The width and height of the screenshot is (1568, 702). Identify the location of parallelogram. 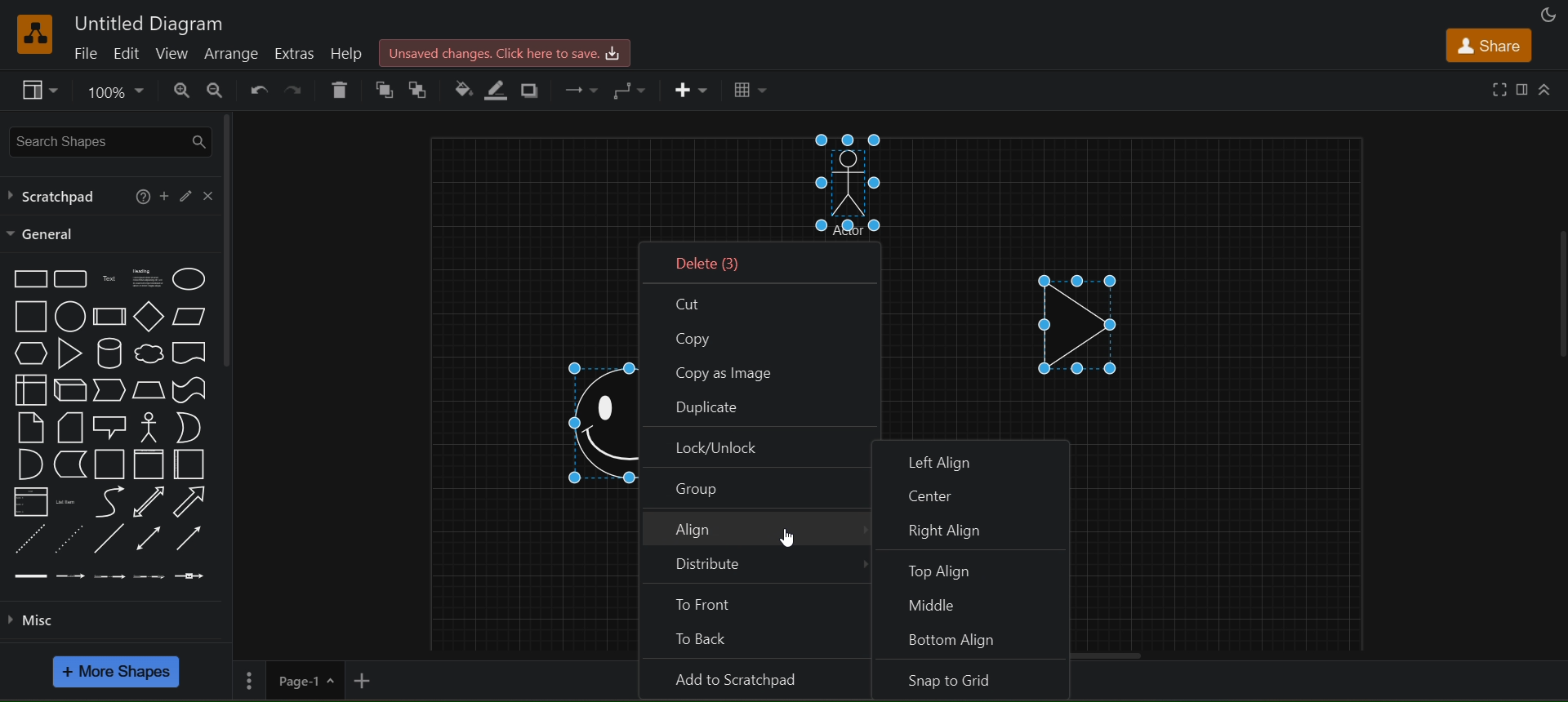
(192, 318).